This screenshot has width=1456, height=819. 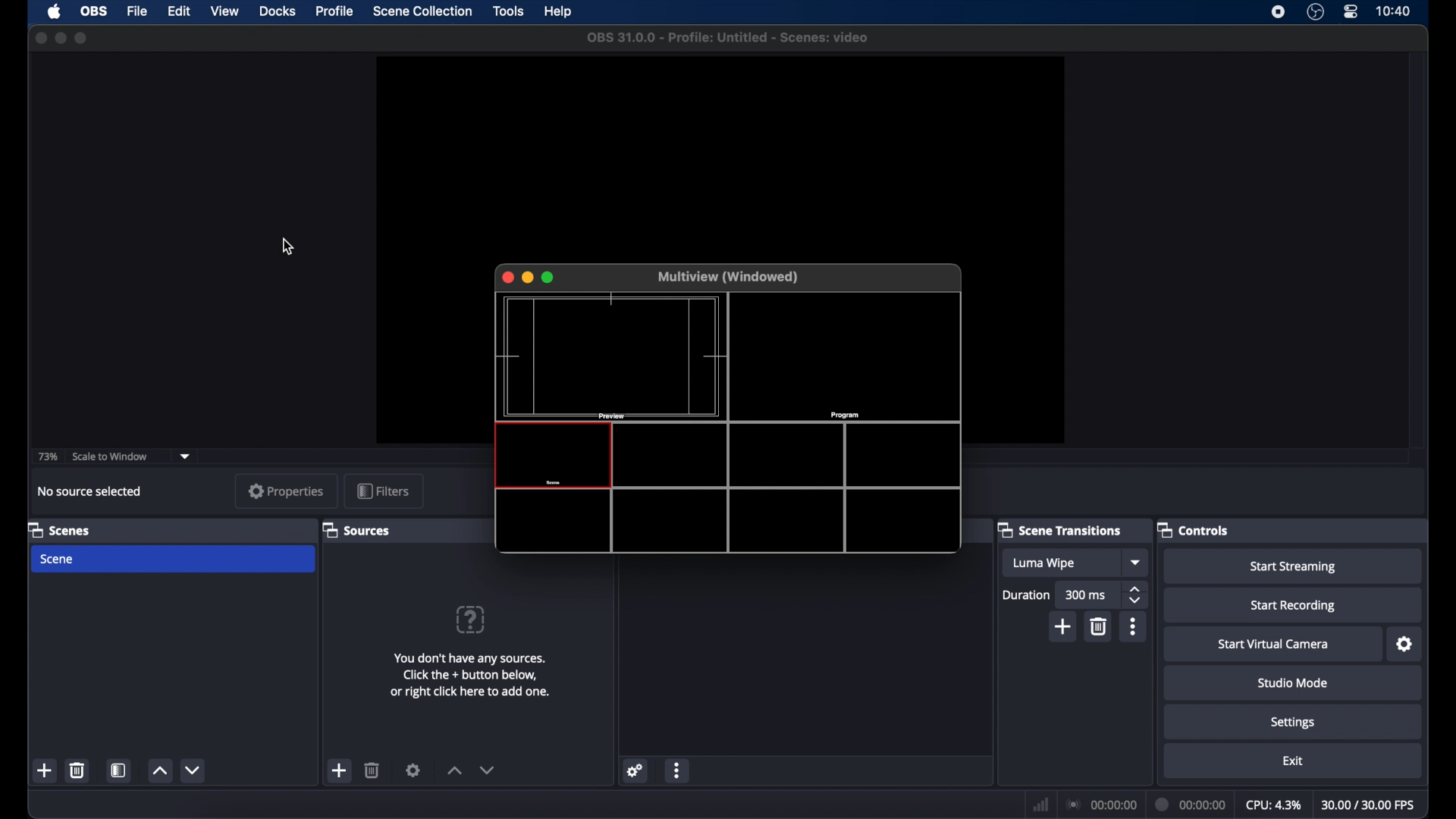 What do you see at coordinates (1193, 529) in the screenshot?
I see `controls` at bounding box center [1193, 529].